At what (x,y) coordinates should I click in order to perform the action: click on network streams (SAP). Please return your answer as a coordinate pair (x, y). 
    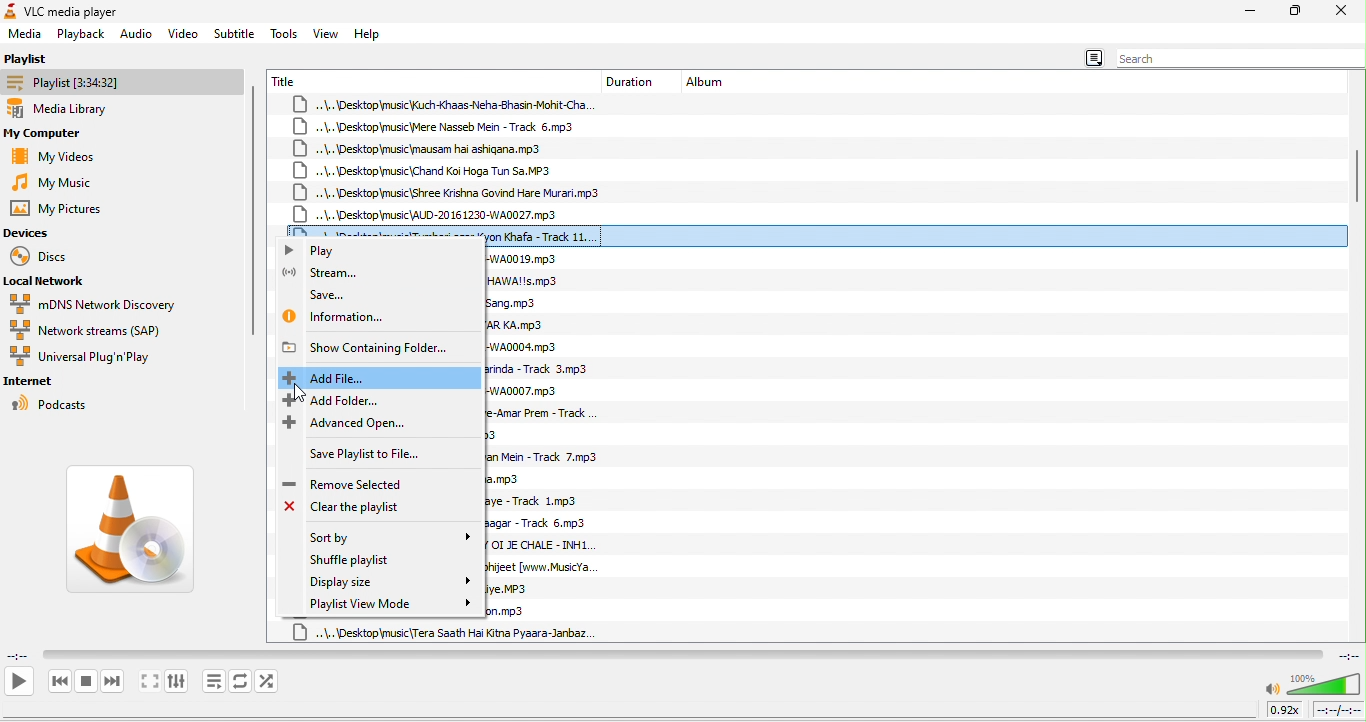
    Looking at the image, I should click on (105, 331).